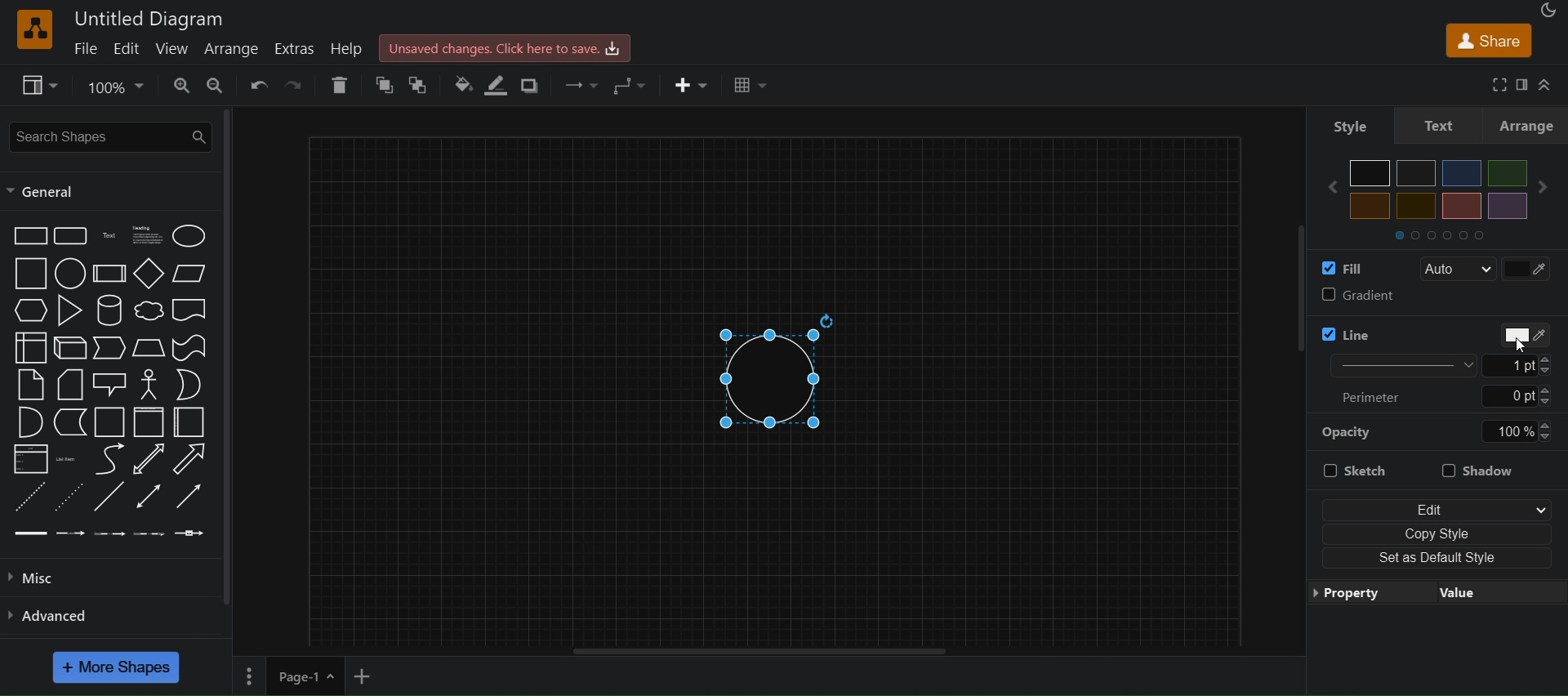 The height and width of the screenshot is (696, 1568). I want to click on perimeter, so click(1379, 396).